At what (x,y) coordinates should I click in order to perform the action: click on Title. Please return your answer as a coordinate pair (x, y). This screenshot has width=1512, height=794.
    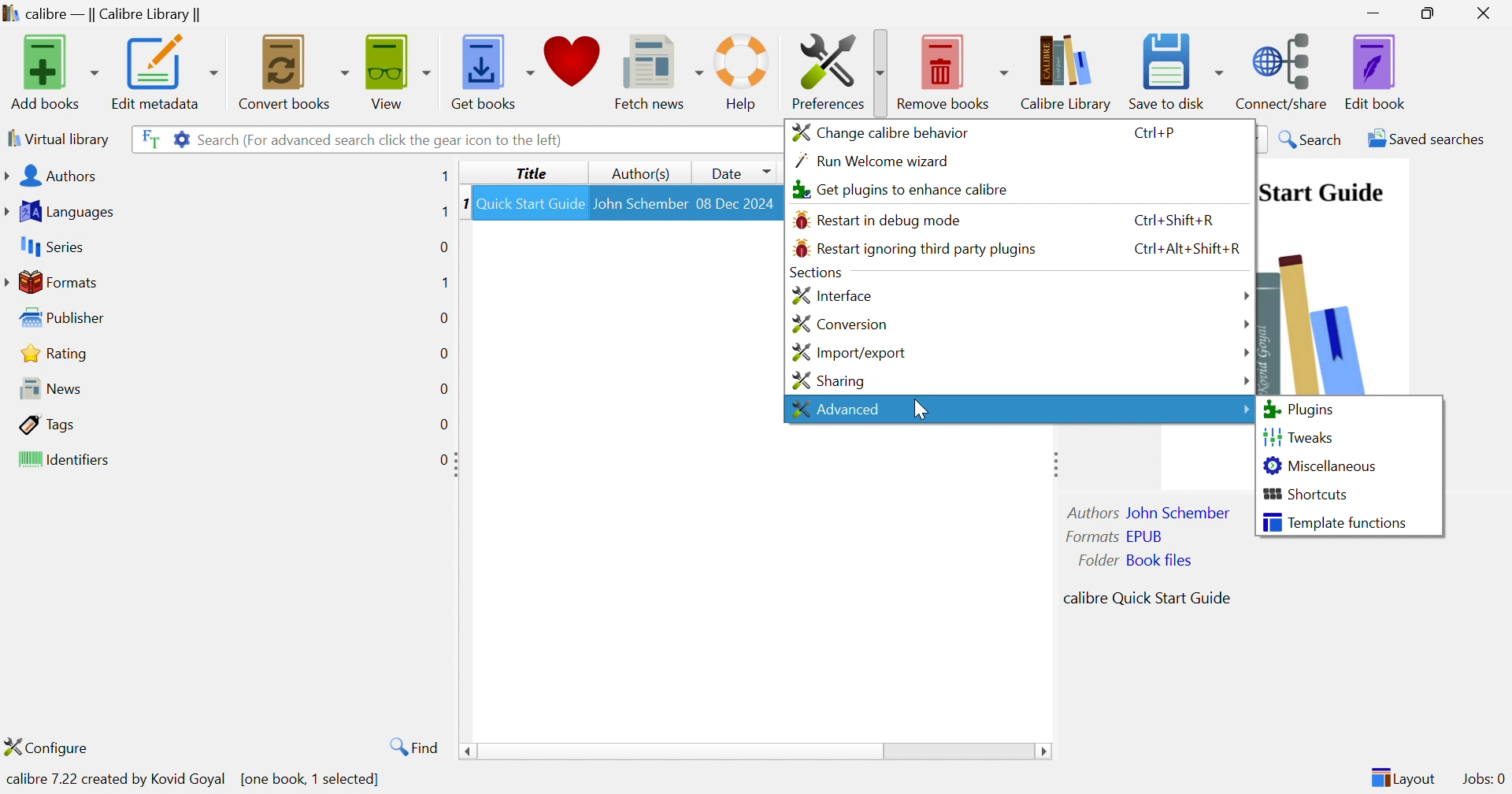
    Looking at the image, I should click on (535, 173).